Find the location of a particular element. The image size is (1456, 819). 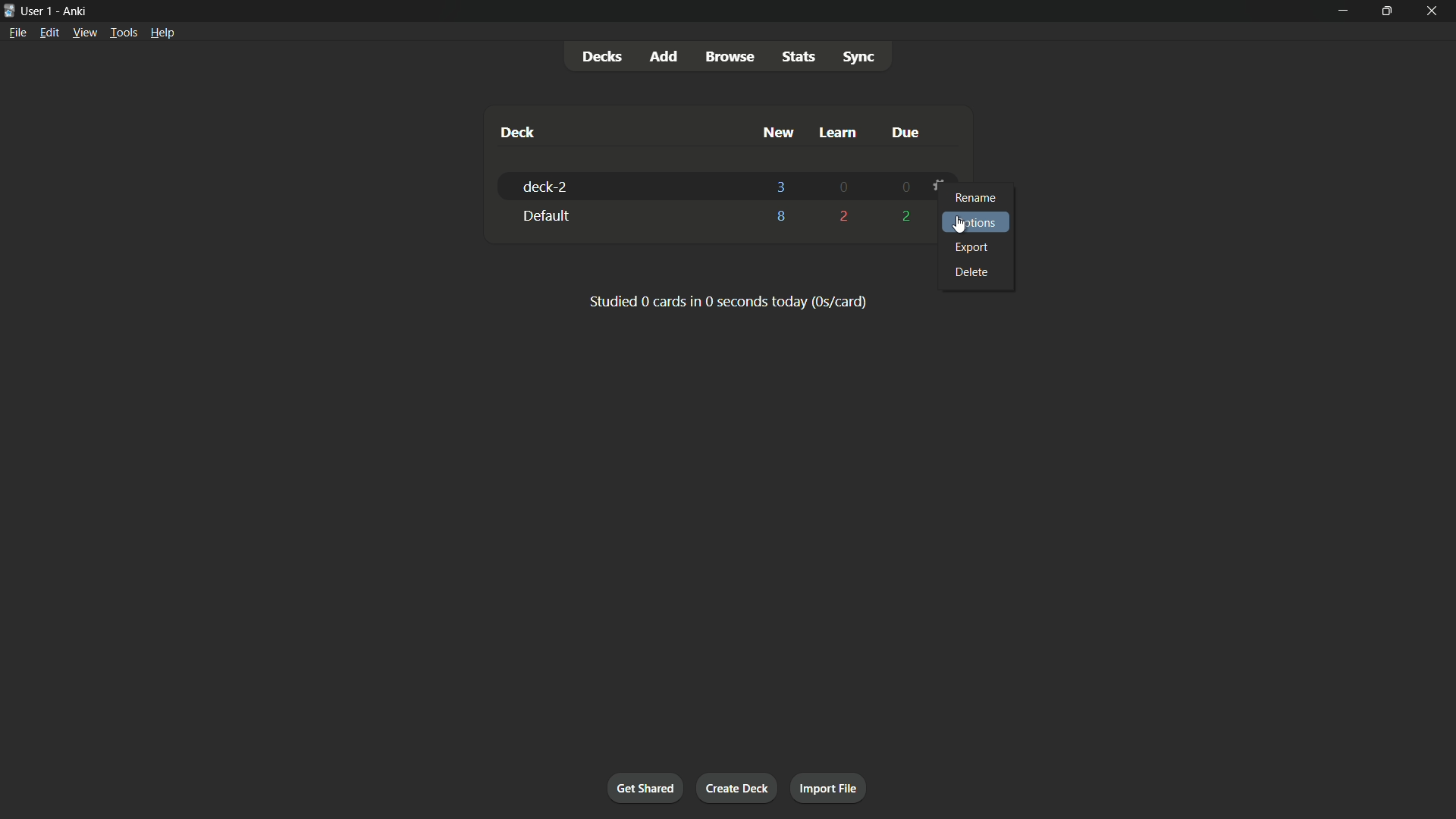

0 is located at coordinates (902, 188).